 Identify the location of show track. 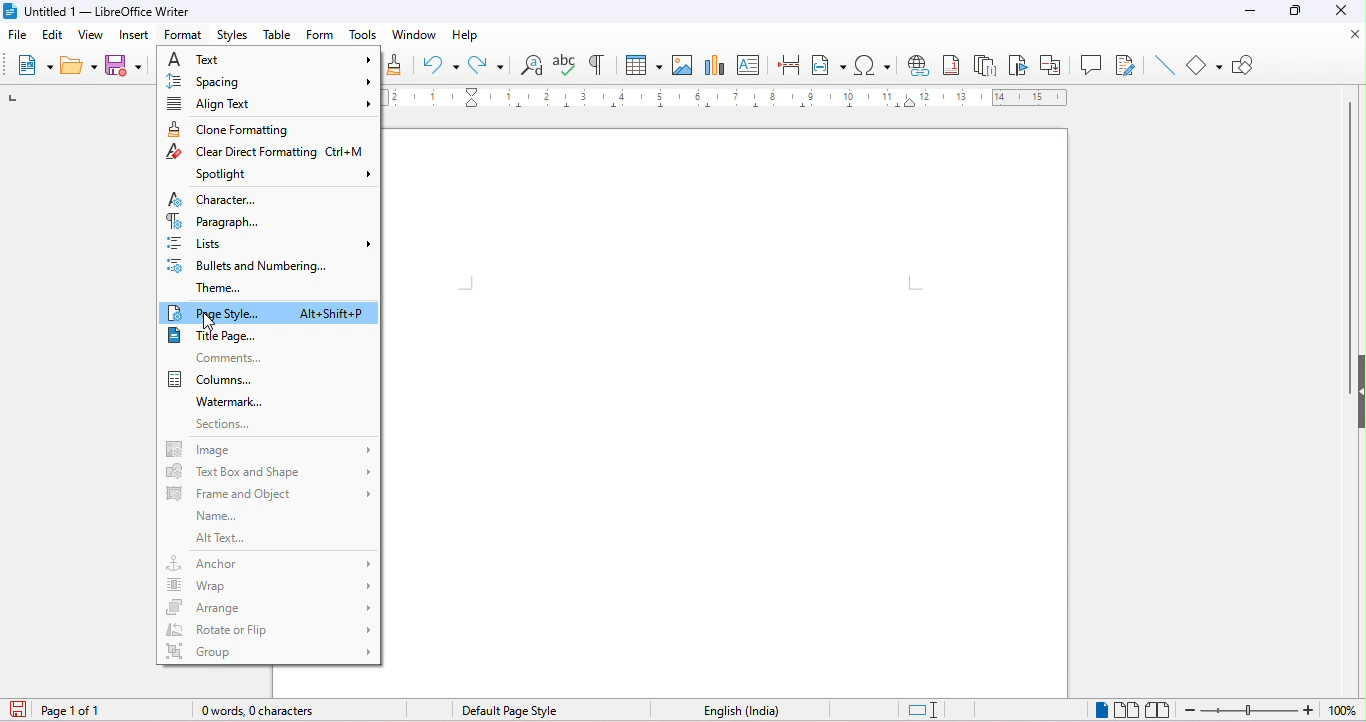
(1122, 64).